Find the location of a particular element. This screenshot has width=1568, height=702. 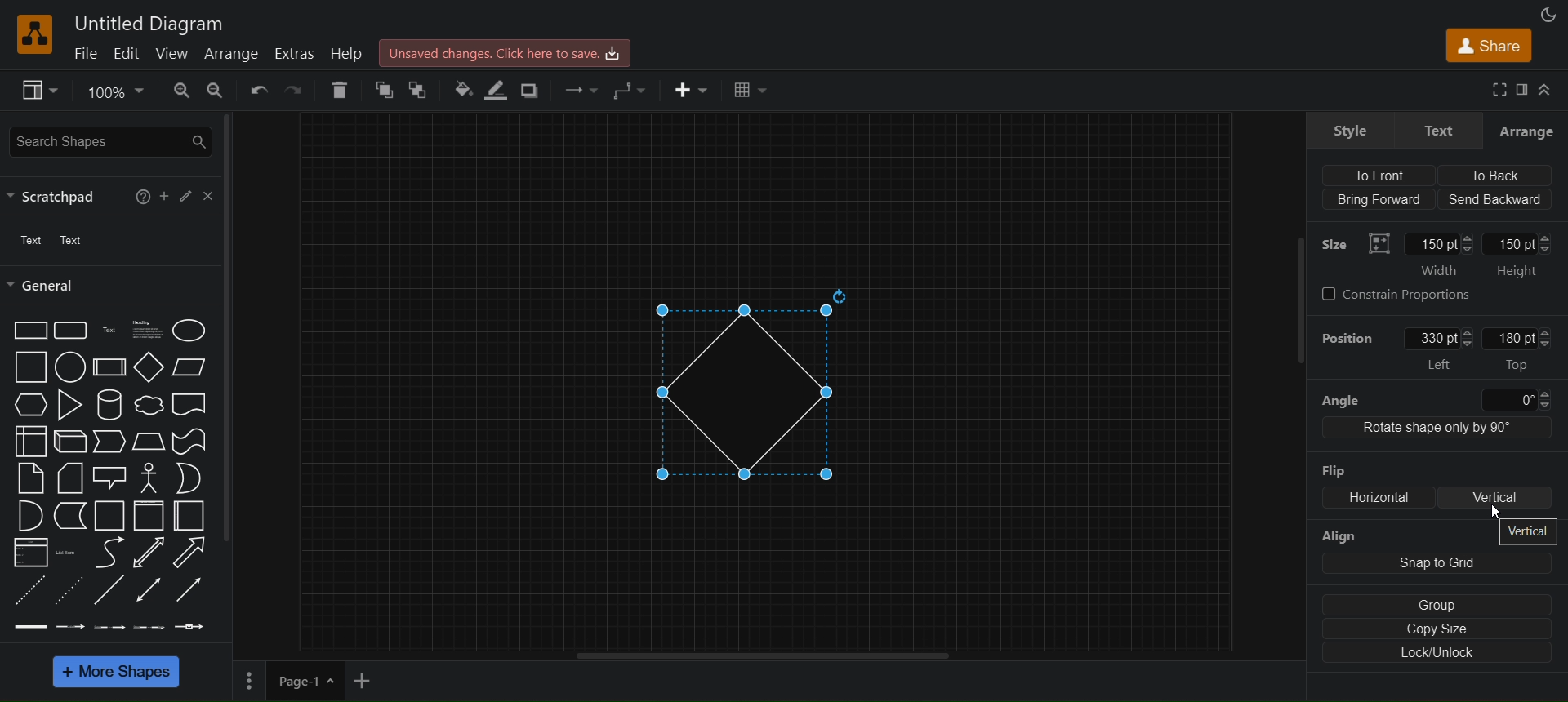

snap to grid is located at coordinates (1433, 562).